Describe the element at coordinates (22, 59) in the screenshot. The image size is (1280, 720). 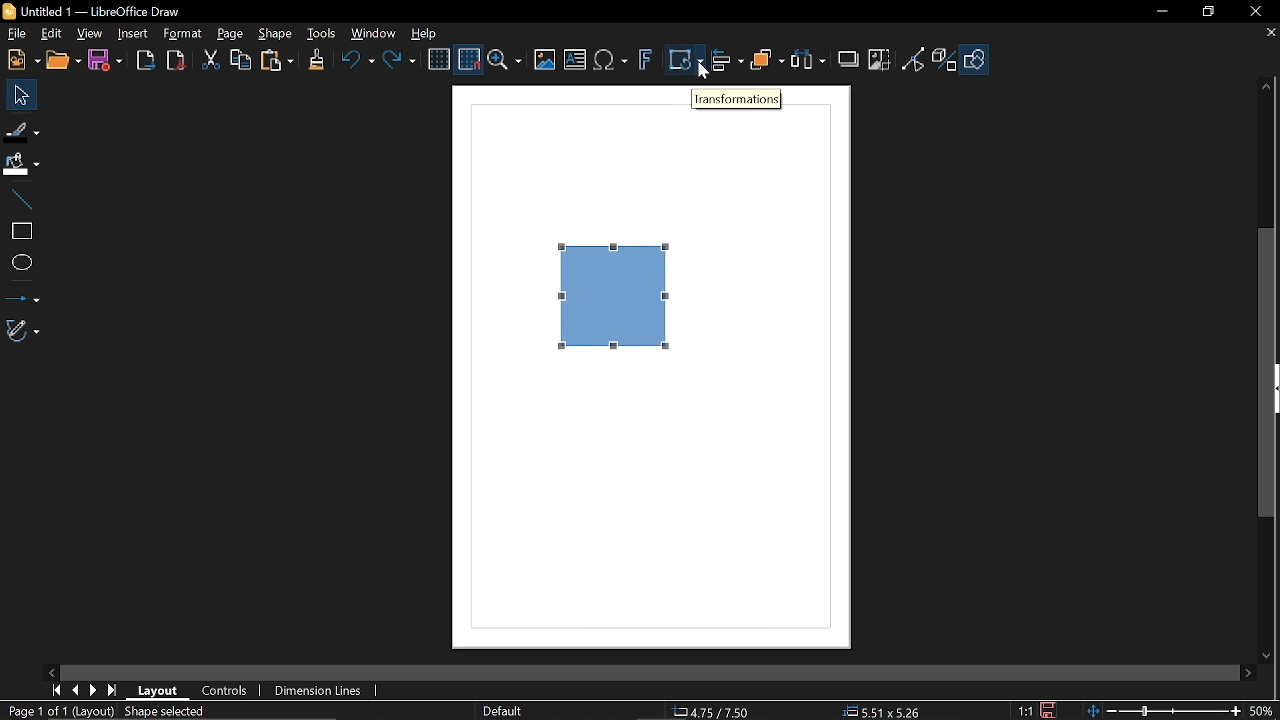
I see `New` at that location.